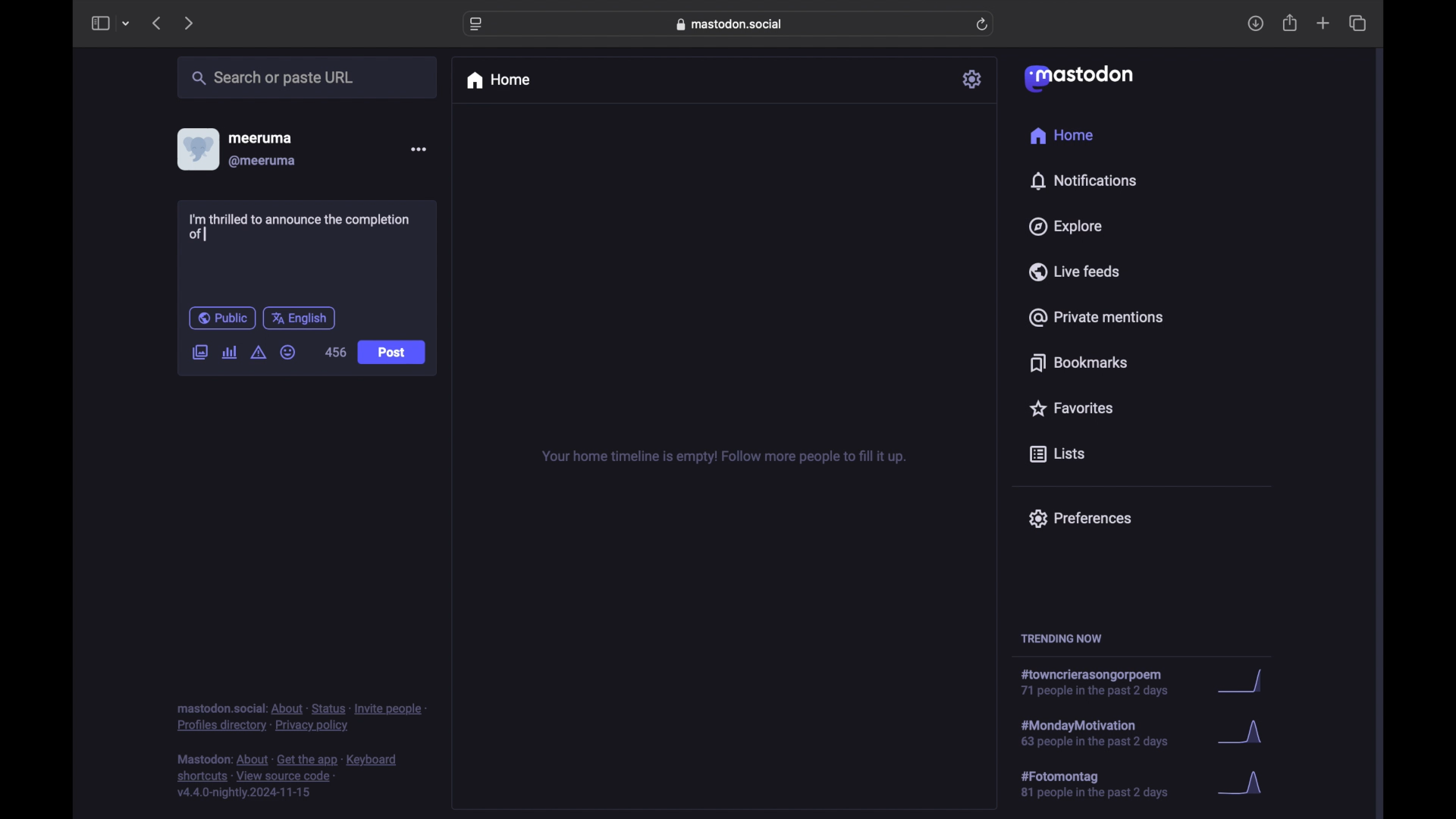  What do you see at coordinates (264, 162) in the screenshot?
I see `@meeruma` at bounding box center [264, 162].